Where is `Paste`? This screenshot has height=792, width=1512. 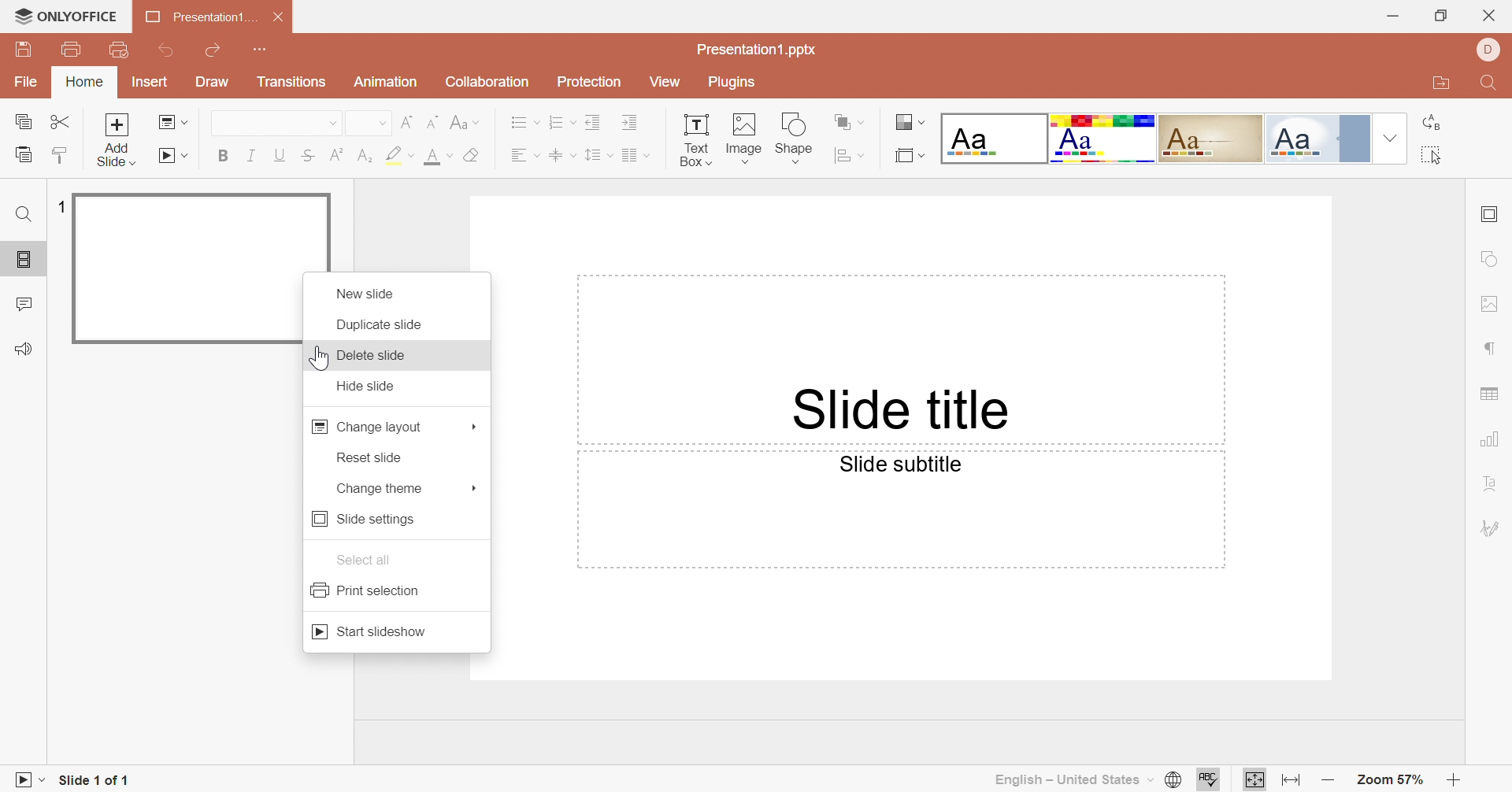
Paste is located at coordinates (21, 156).